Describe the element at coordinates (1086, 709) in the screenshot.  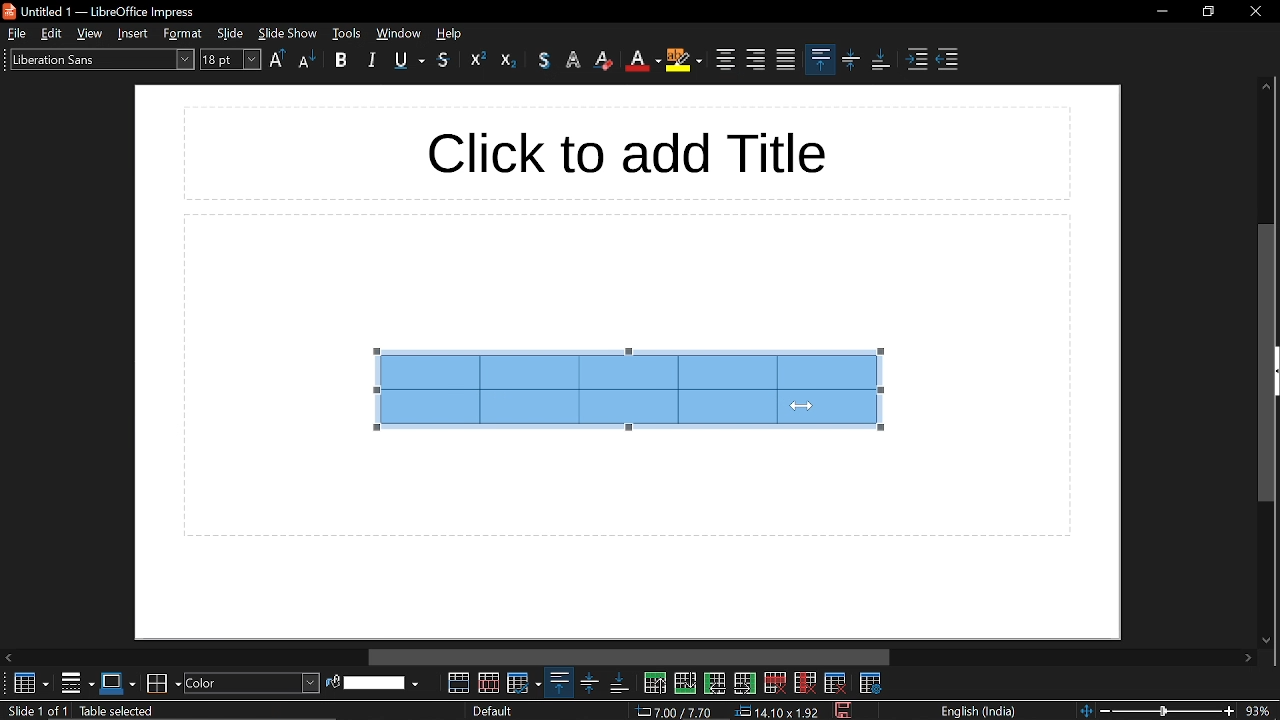
I see `fit to page ` at that location.